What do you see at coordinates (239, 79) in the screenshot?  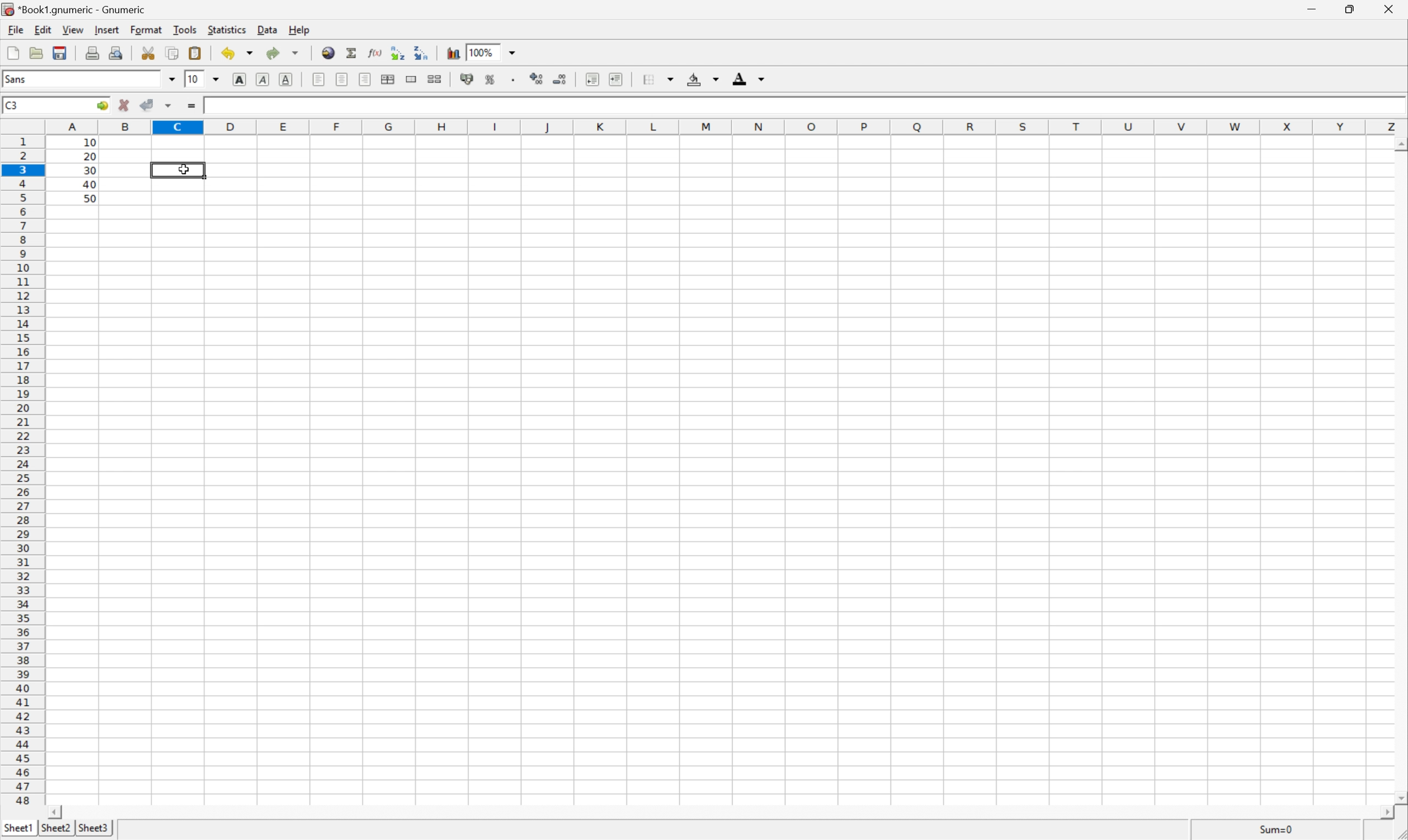 I see `bold` at bounding box center [239, 79].